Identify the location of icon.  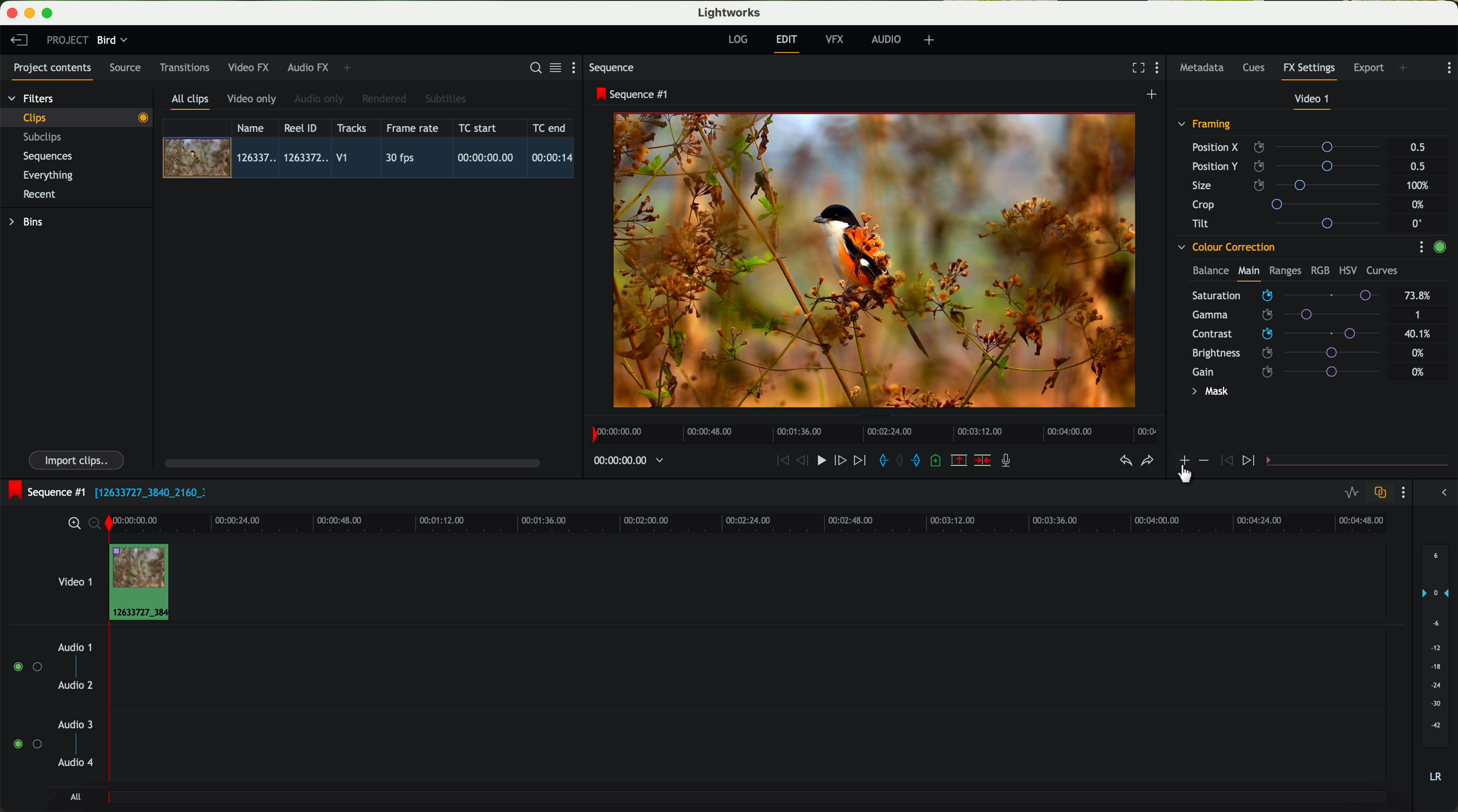
(1203, 461).